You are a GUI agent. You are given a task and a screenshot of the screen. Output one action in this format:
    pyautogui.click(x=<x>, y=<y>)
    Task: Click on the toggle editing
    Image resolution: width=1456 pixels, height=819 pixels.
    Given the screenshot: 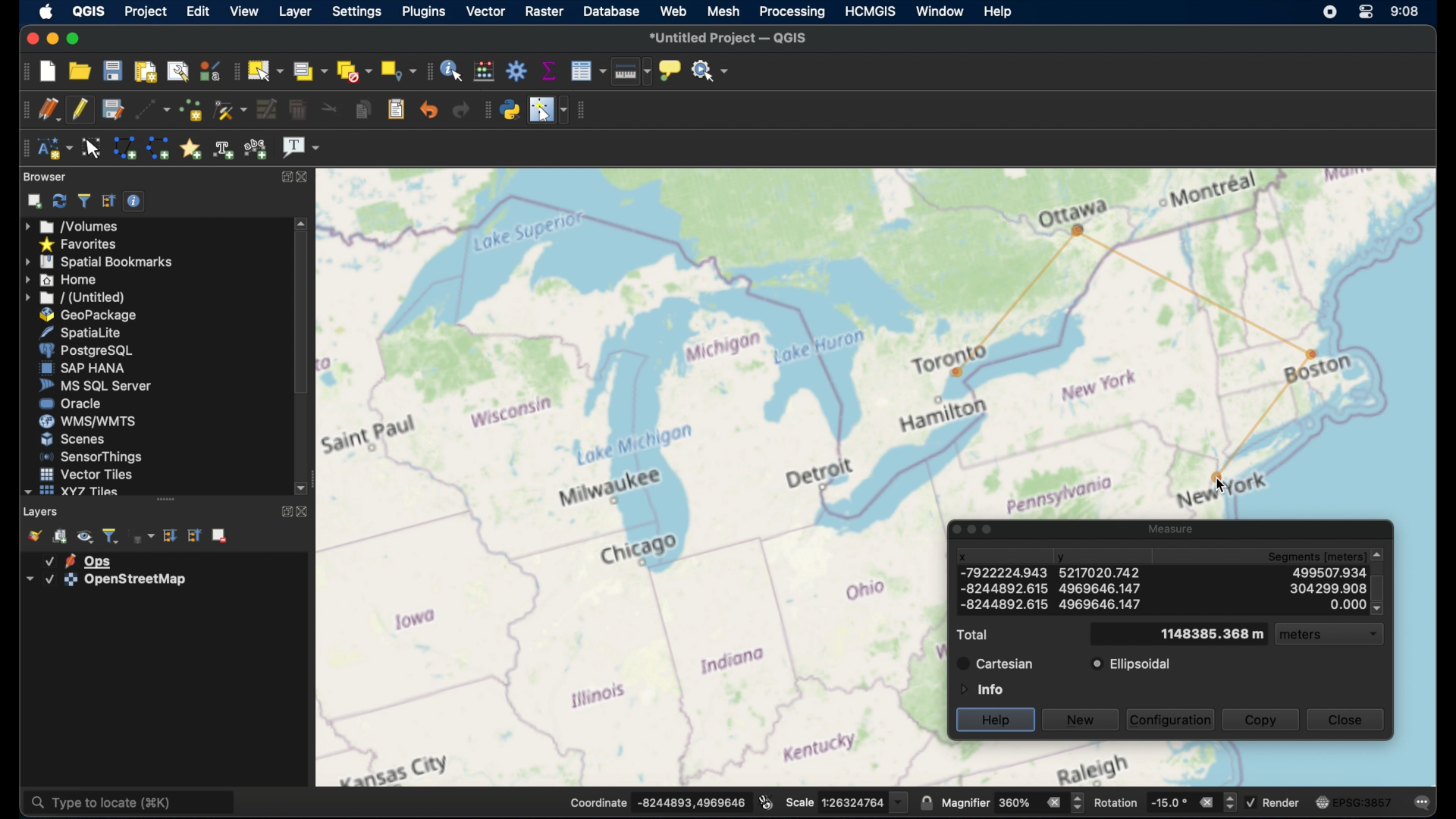 What is the action you would take?
    pyautogui.click(x=80, y=110)
    